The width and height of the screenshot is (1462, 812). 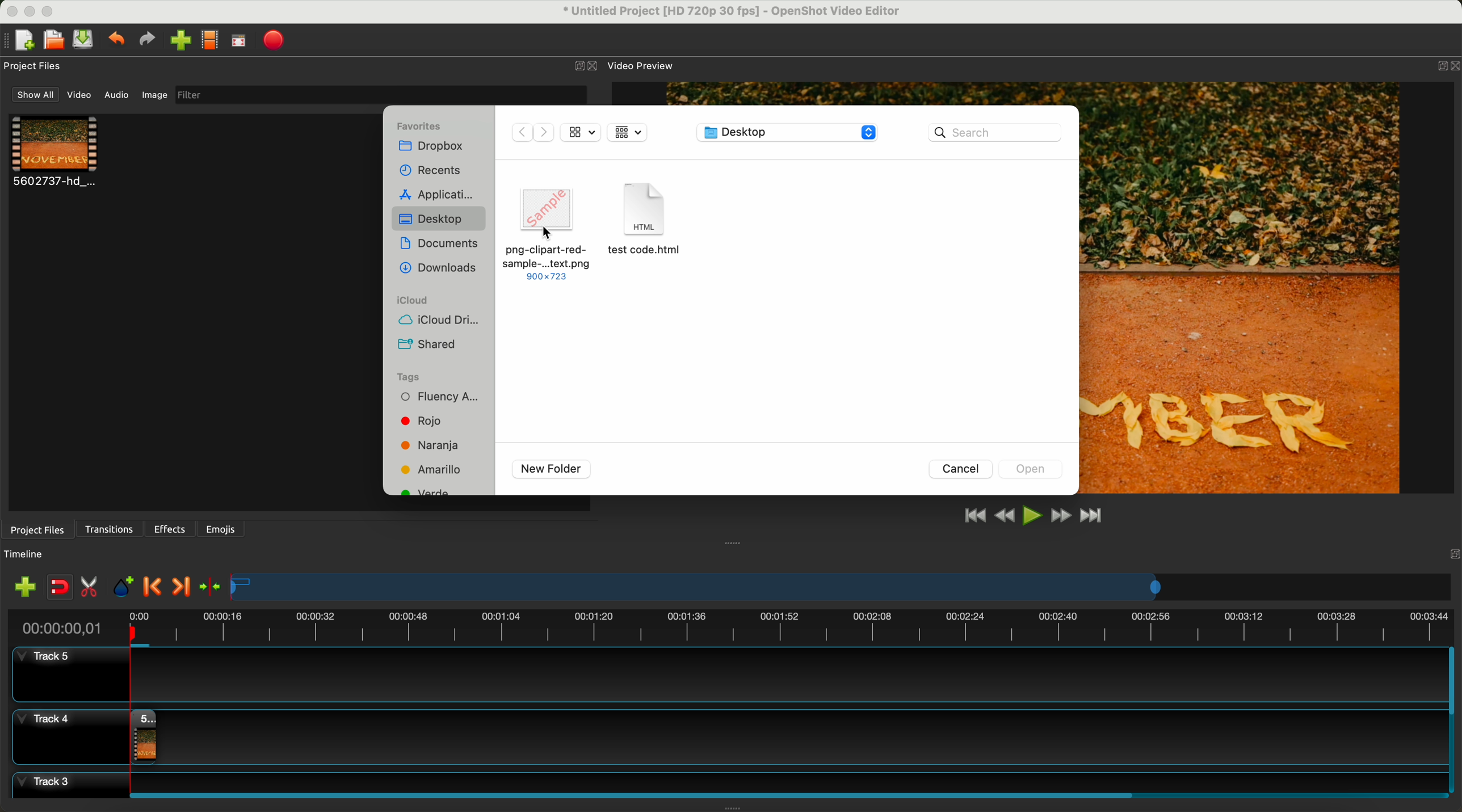 I want to click on export video, so click(x=278, y=40).